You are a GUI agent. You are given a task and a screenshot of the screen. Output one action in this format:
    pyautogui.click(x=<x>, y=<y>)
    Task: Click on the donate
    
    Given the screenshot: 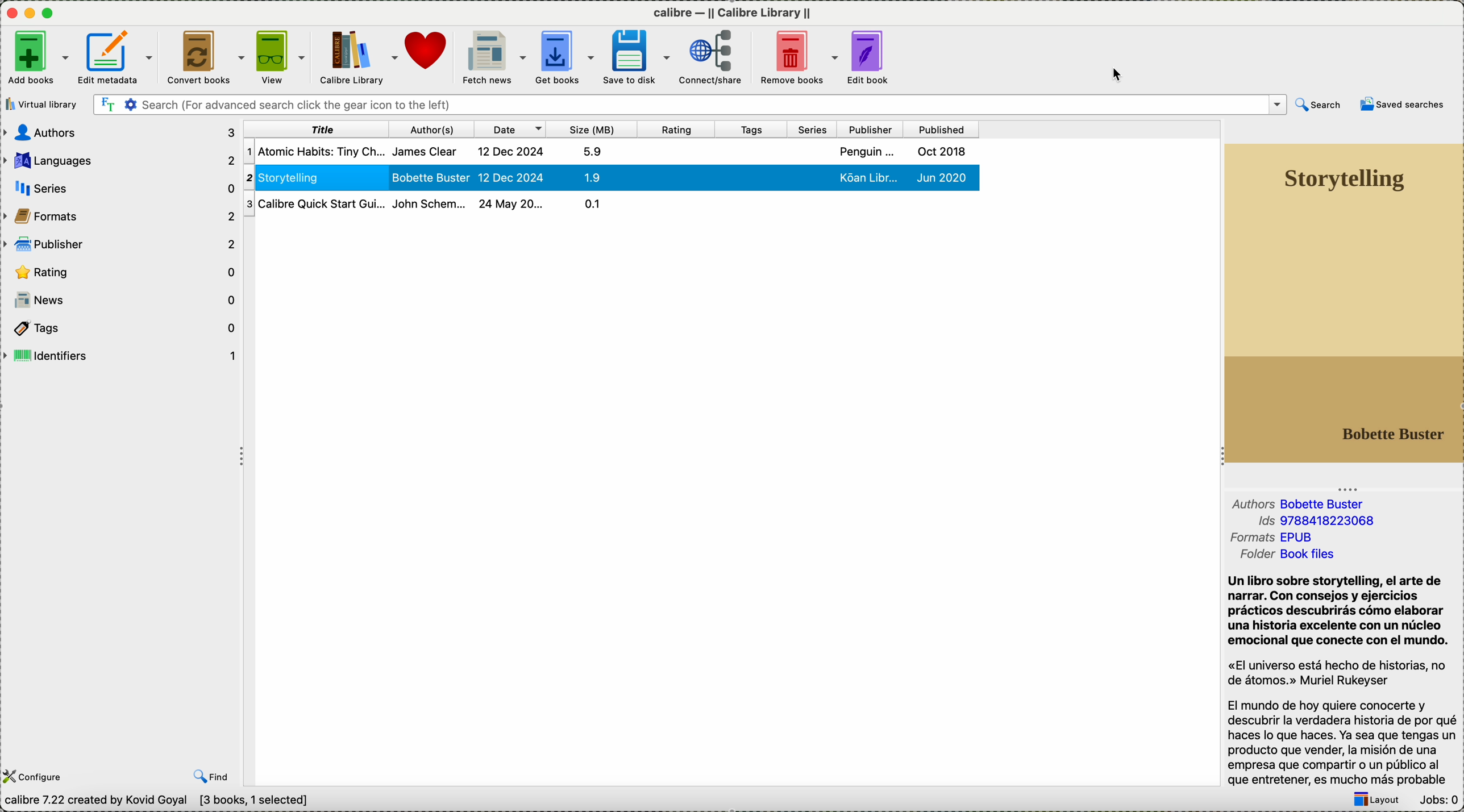 What is the action you would take?
    pyautogui.click(x=428, y=50)
    